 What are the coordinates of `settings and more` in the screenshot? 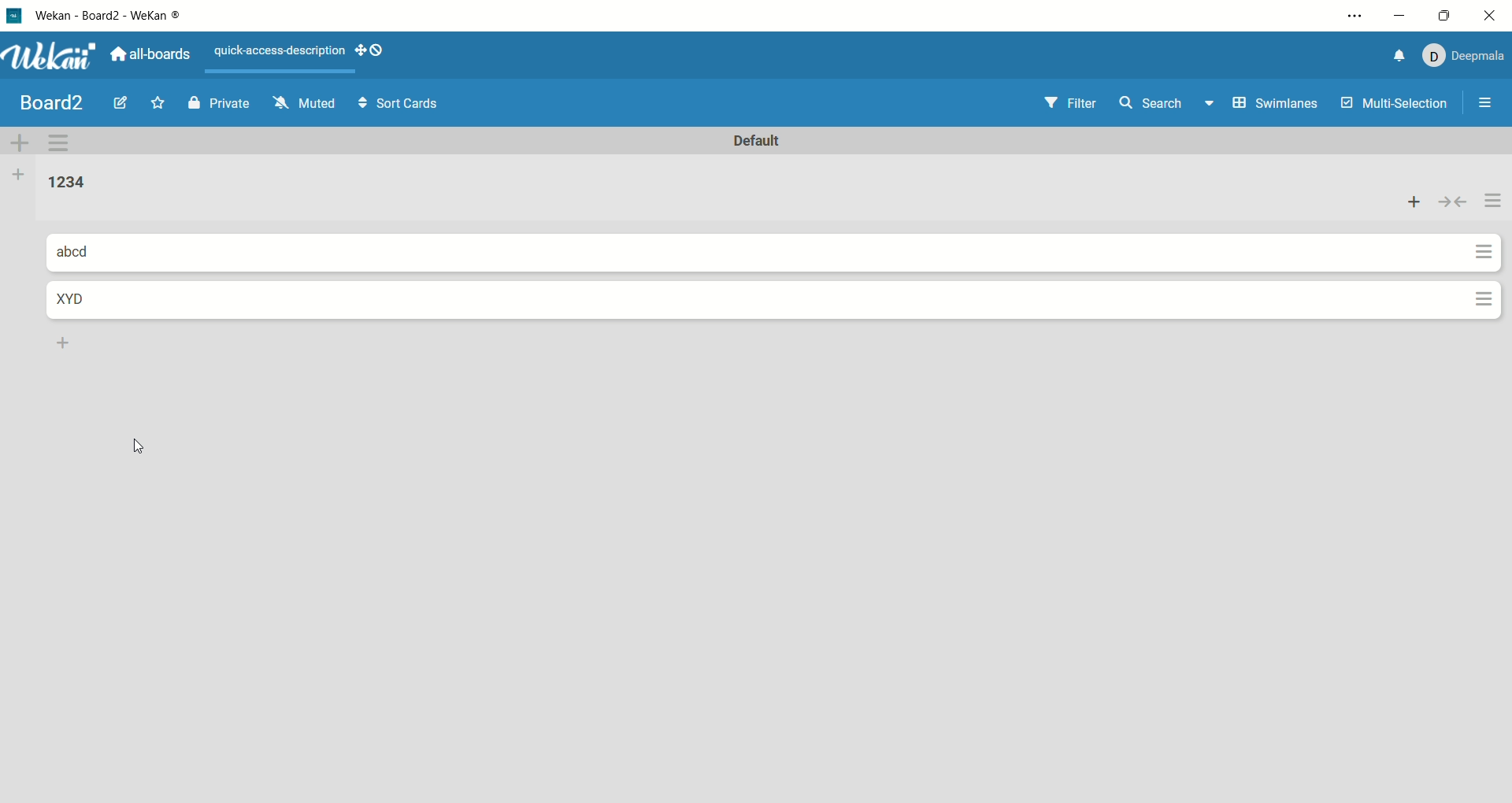 It's located at (1353, 18).